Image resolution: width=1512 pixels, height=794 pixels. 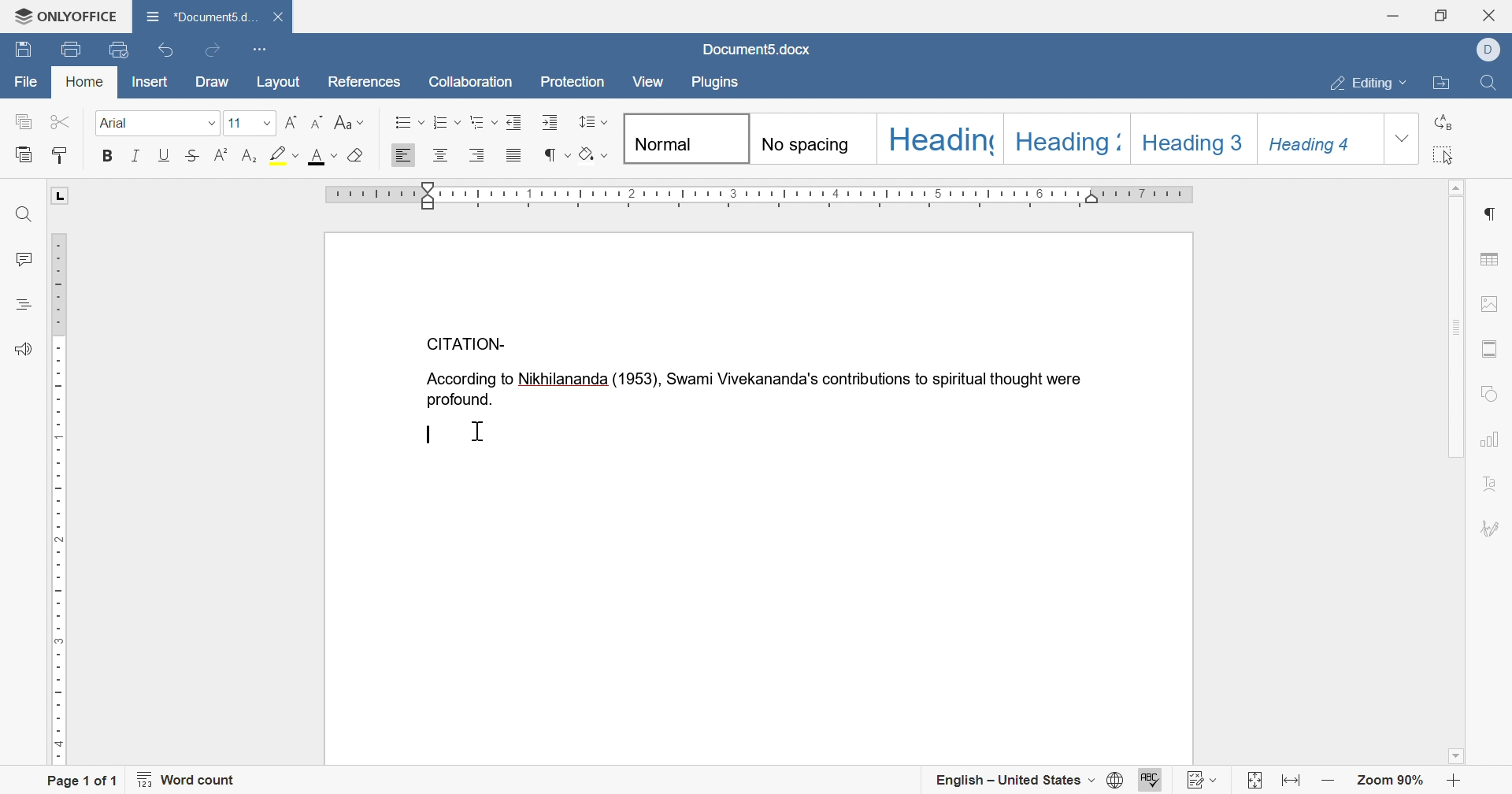 I want to click on ruler, so click(x=61, y=499).